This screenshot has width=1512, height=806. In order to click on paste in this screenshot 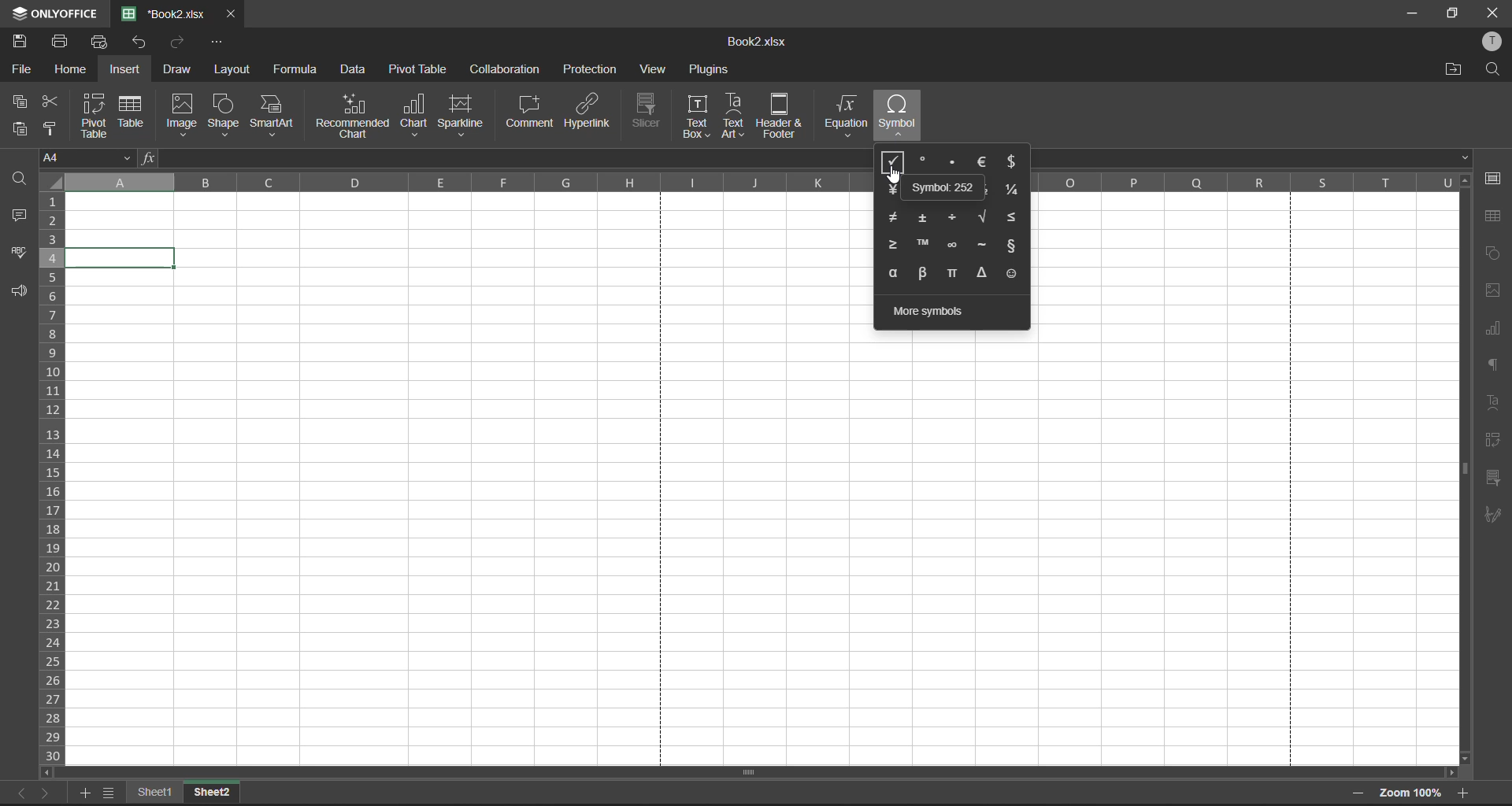, I will do `click(21, 130)`.